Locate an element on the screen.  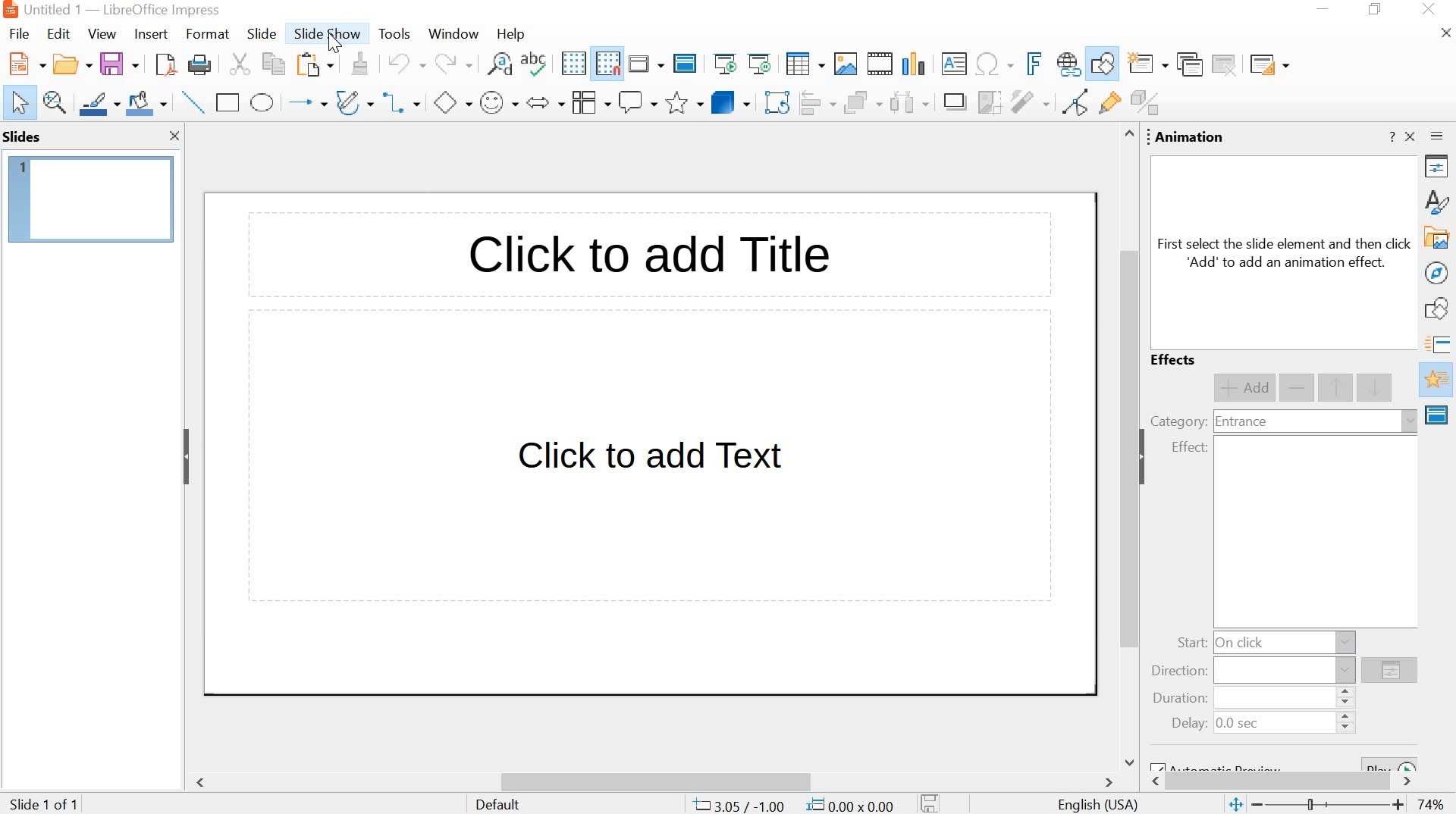
app name is located at coordinates (162, 10).